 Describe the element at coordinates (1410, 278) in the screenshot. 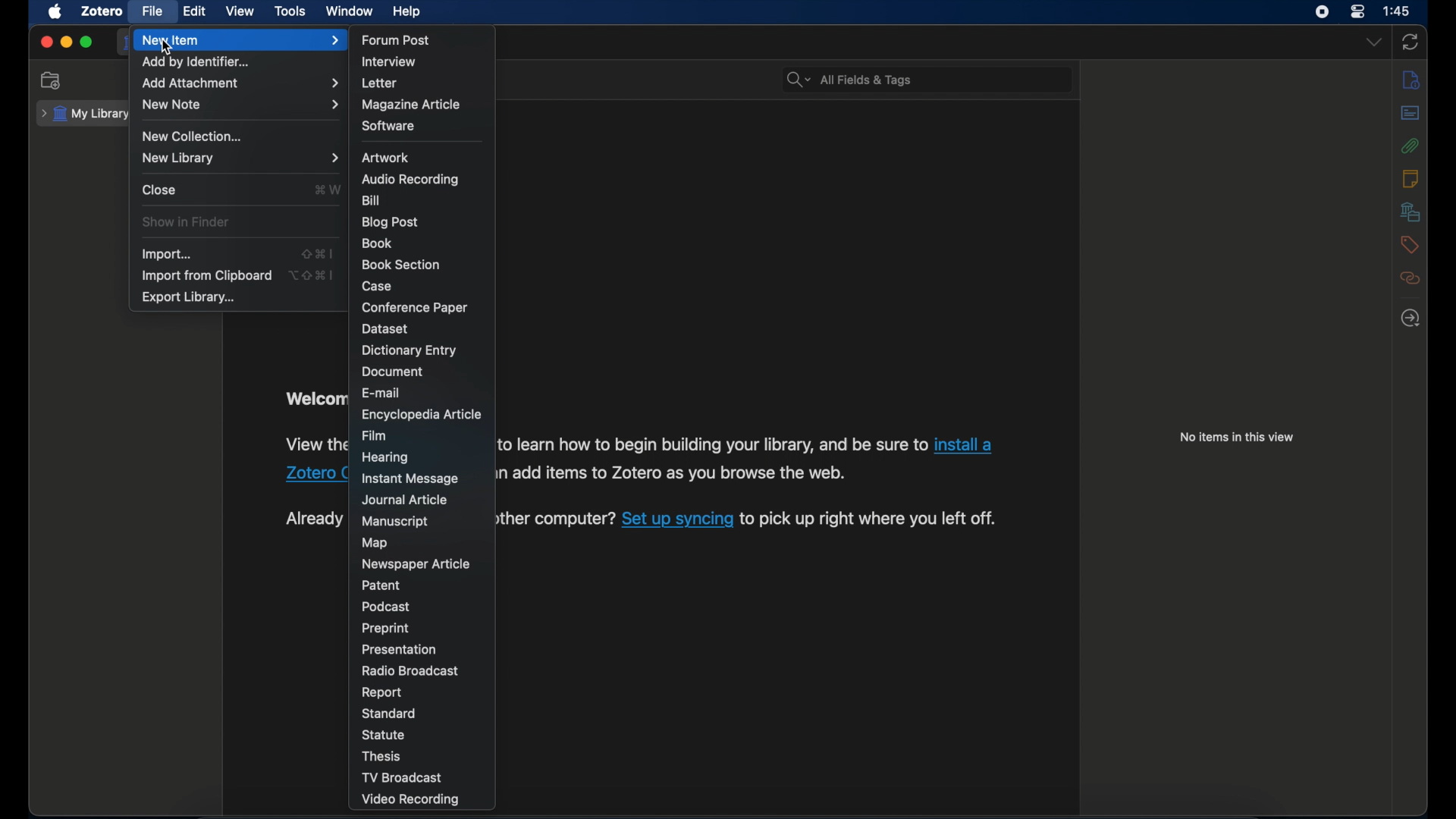

I see `related` at that location.